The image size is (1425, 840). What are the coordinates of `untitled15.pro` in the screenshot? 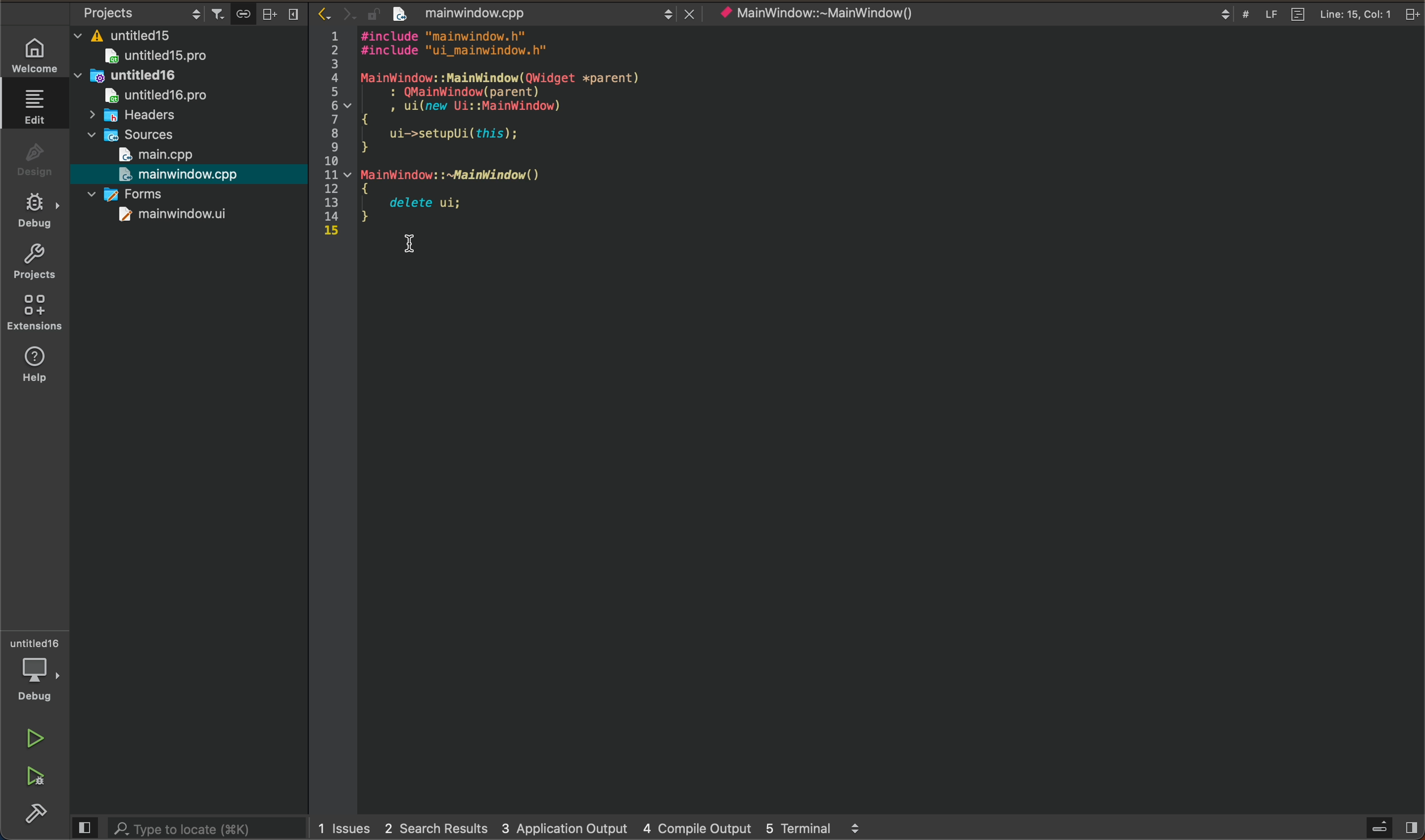 It's located at (169, 57).